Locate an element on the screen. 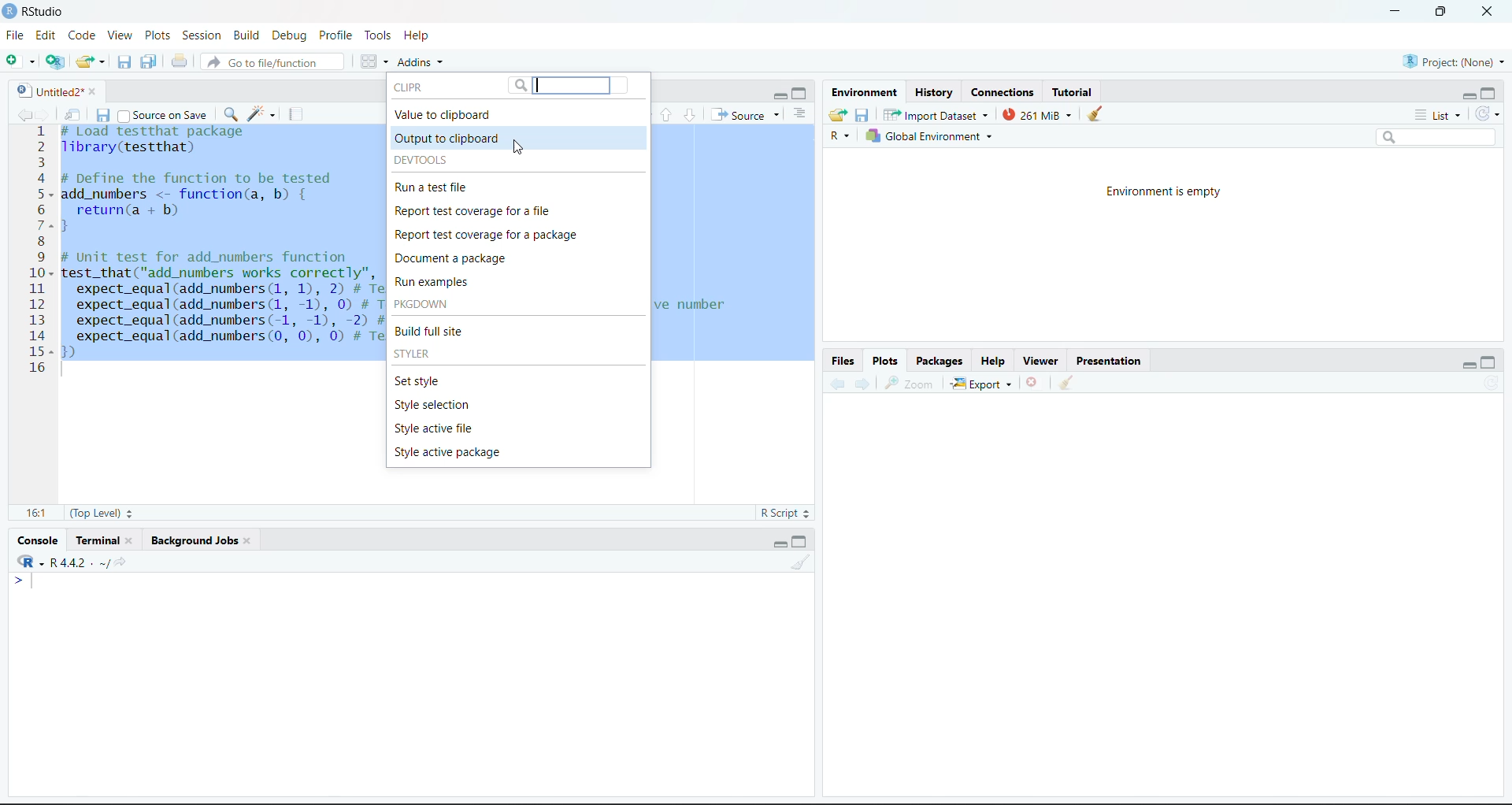  clear console is located at coordinates (1098, 115).